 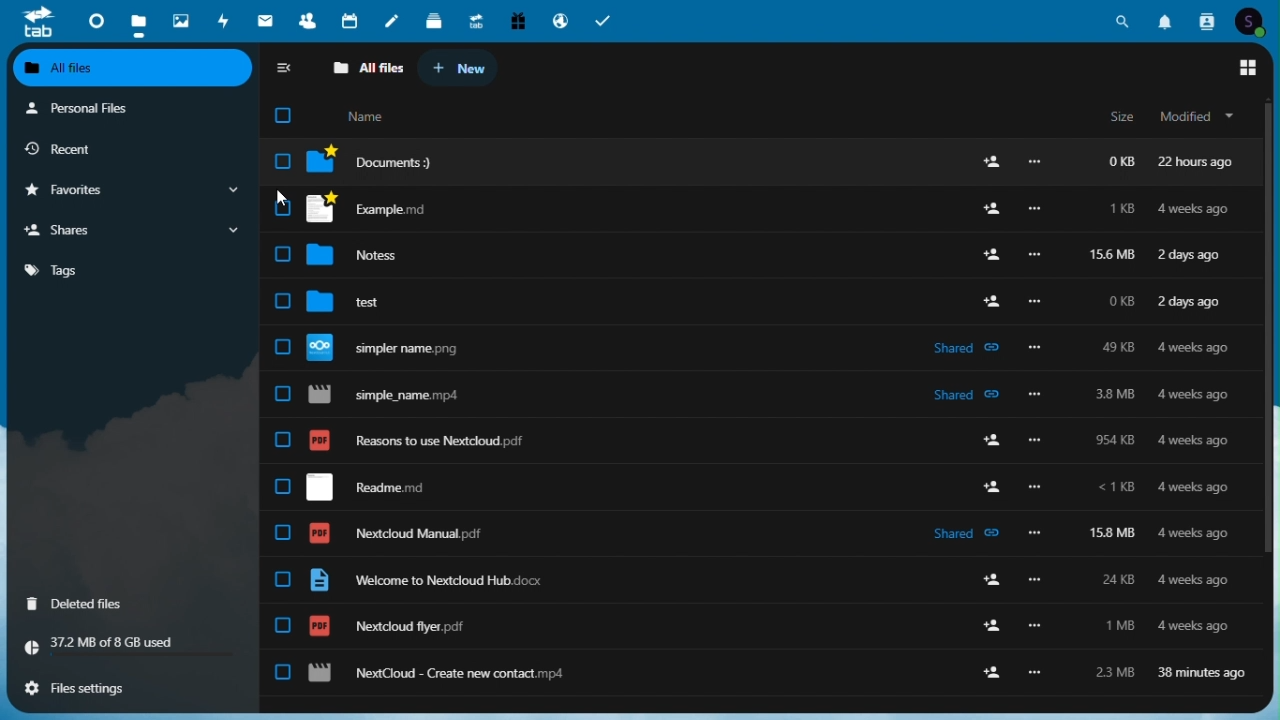 I want to click on more options, so click(x=1034, y=257).